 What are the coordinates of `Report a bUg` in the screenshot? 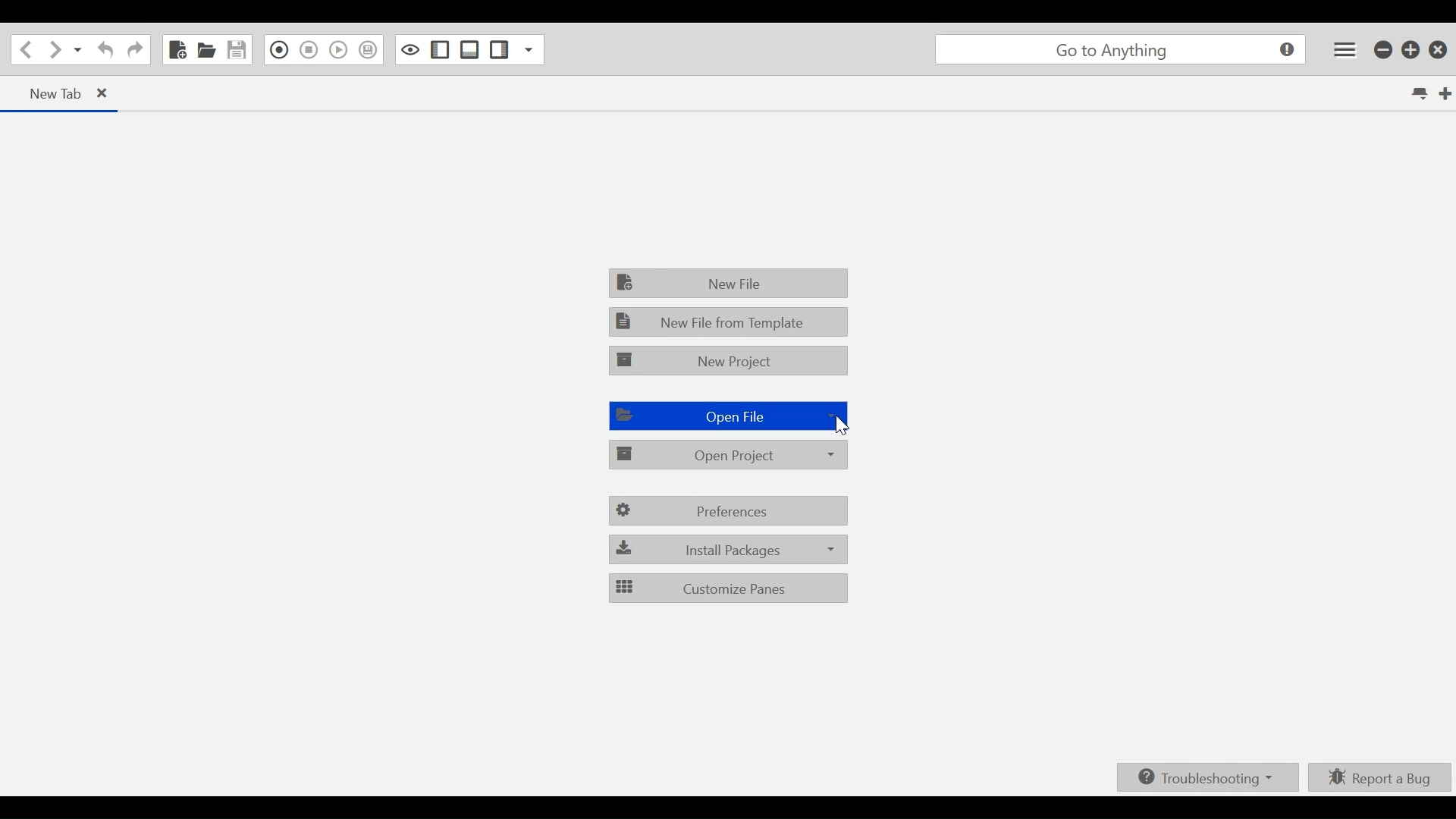 It's located at (1380, 777).